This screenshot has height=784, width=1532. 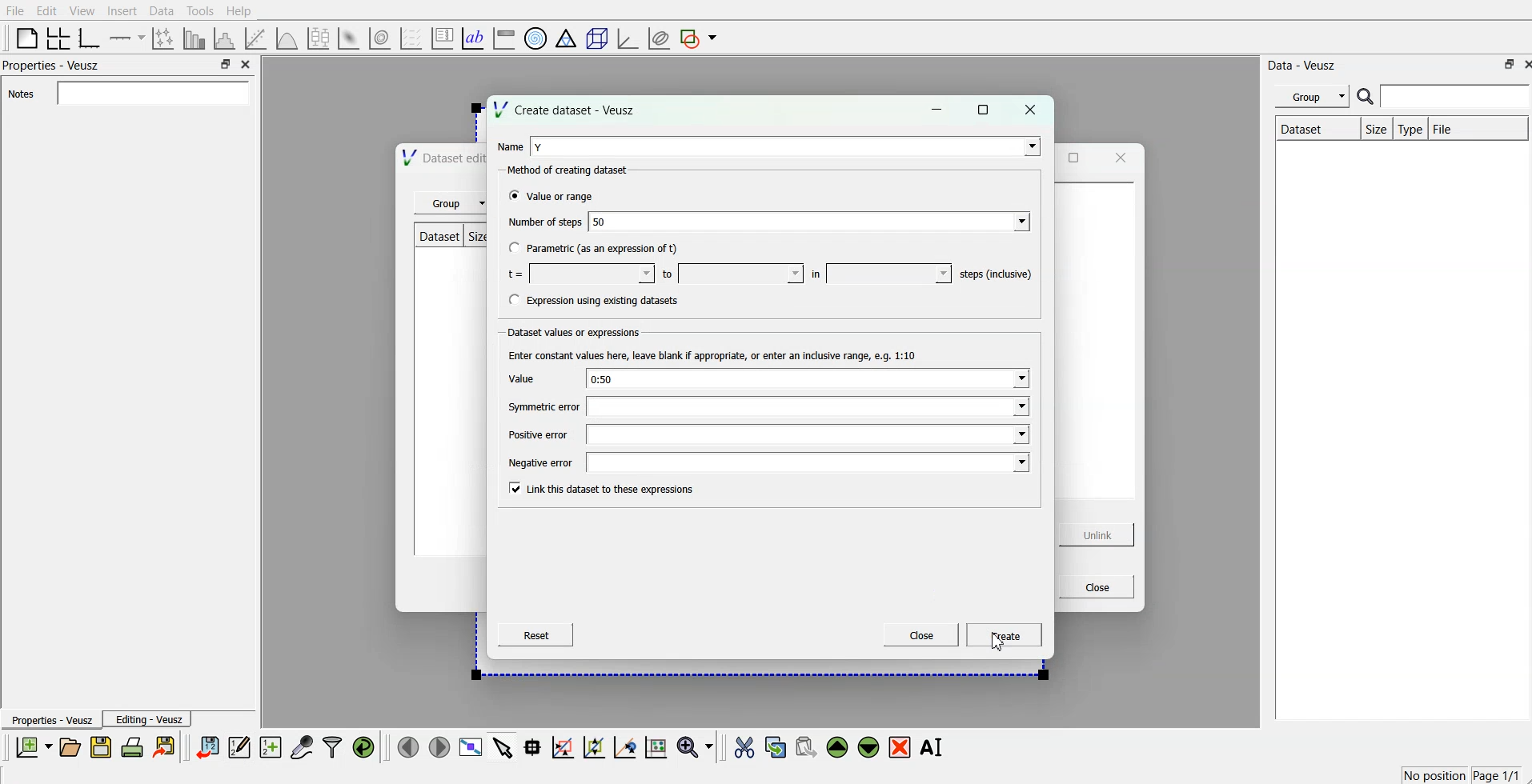 I want to click on File, so click(x=16, y=10).